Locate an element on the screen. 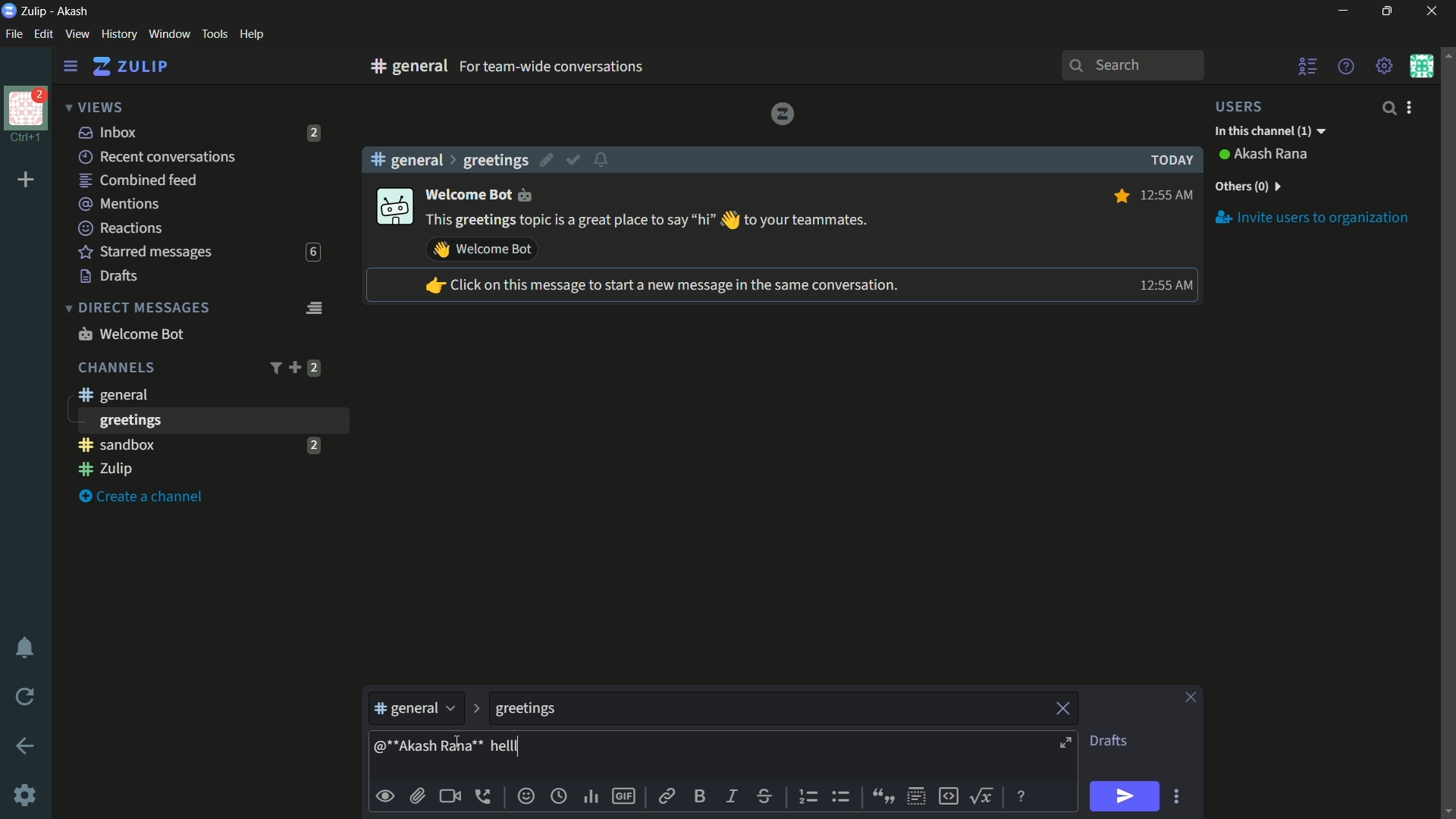  starred messages is located at coordinates (146, 253).